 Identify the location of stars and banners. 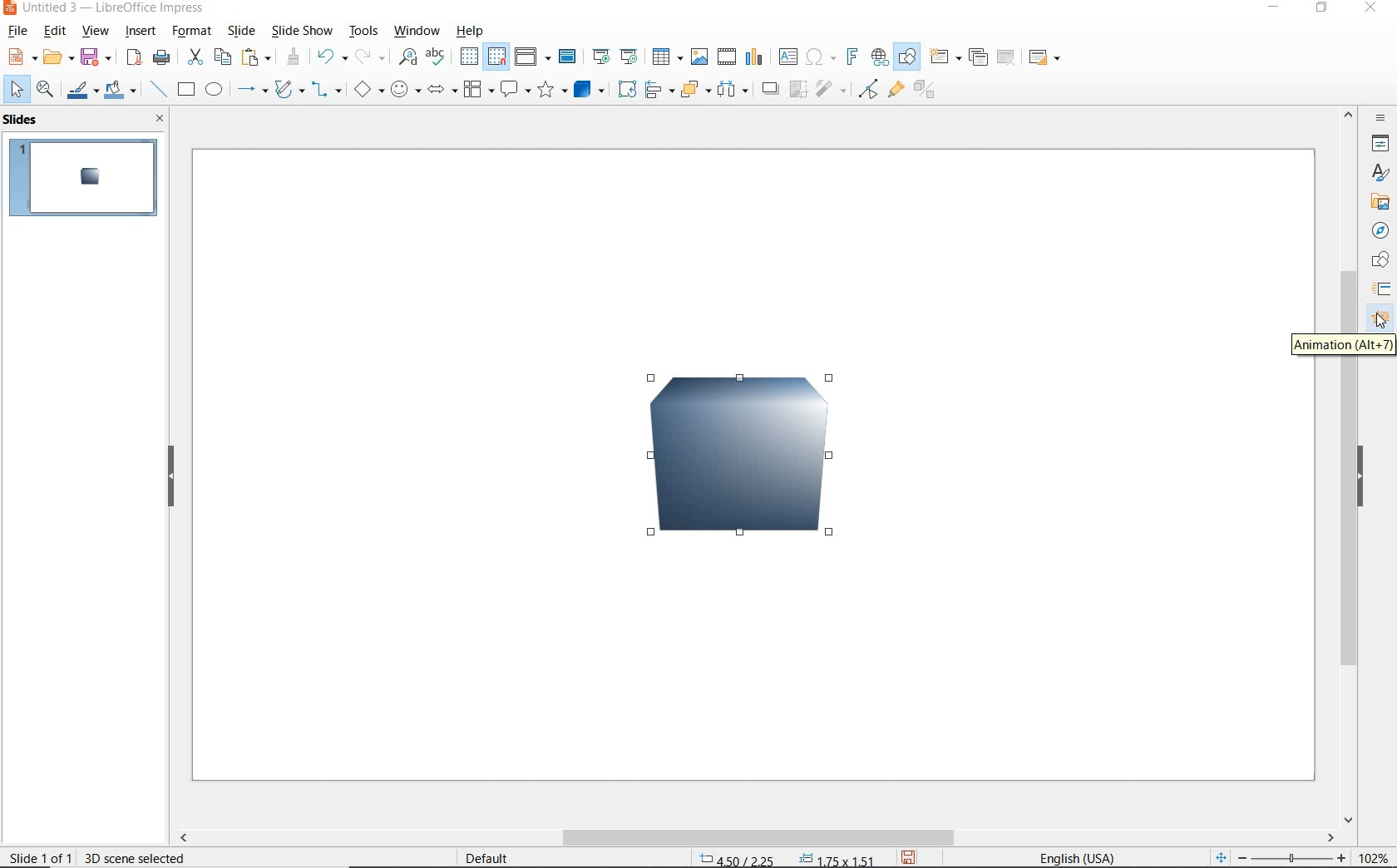
(553, 91).